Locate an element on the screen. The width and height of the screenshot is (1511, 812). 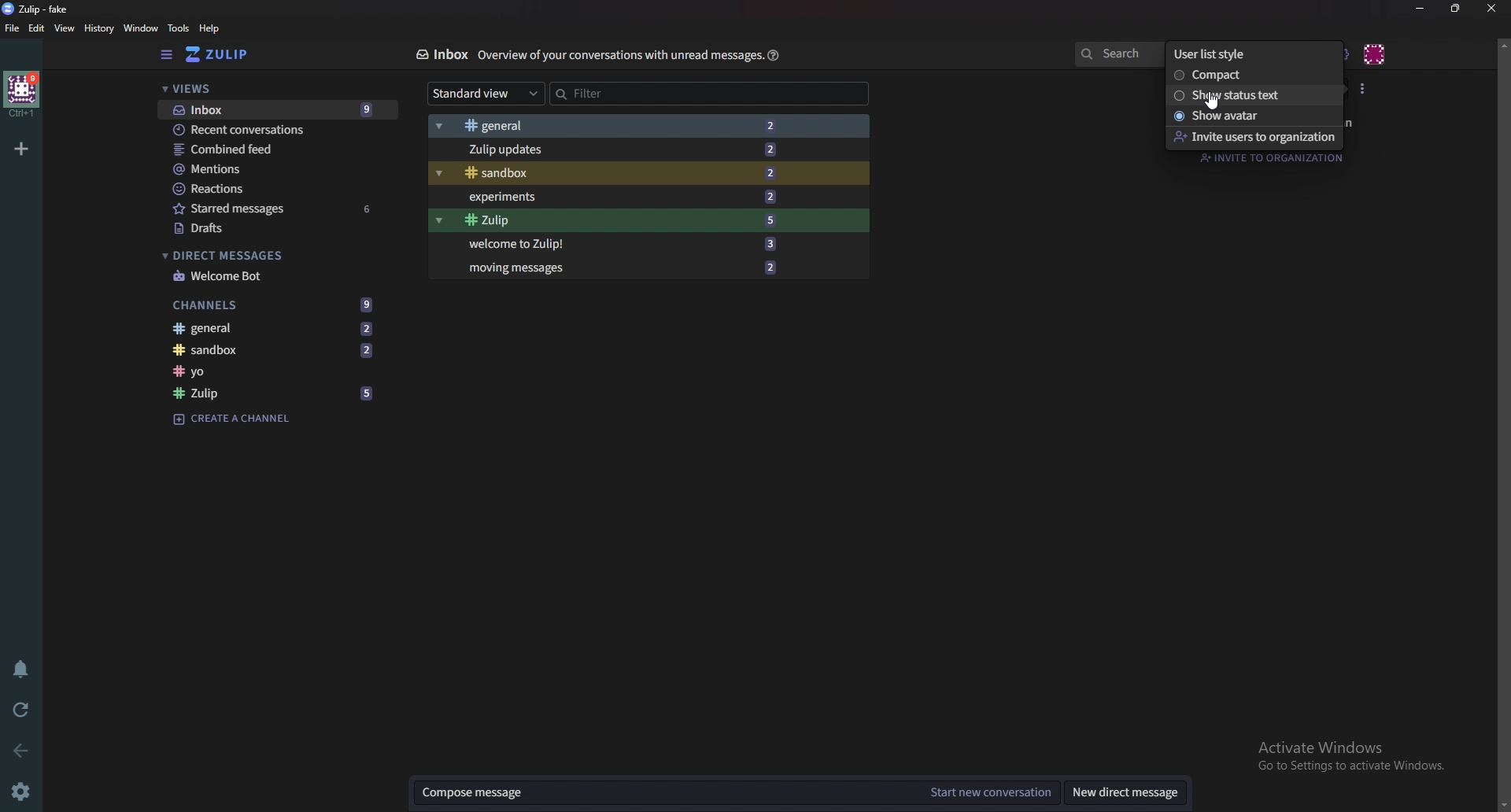
Recent conversations is located at coordinates (270, 130).